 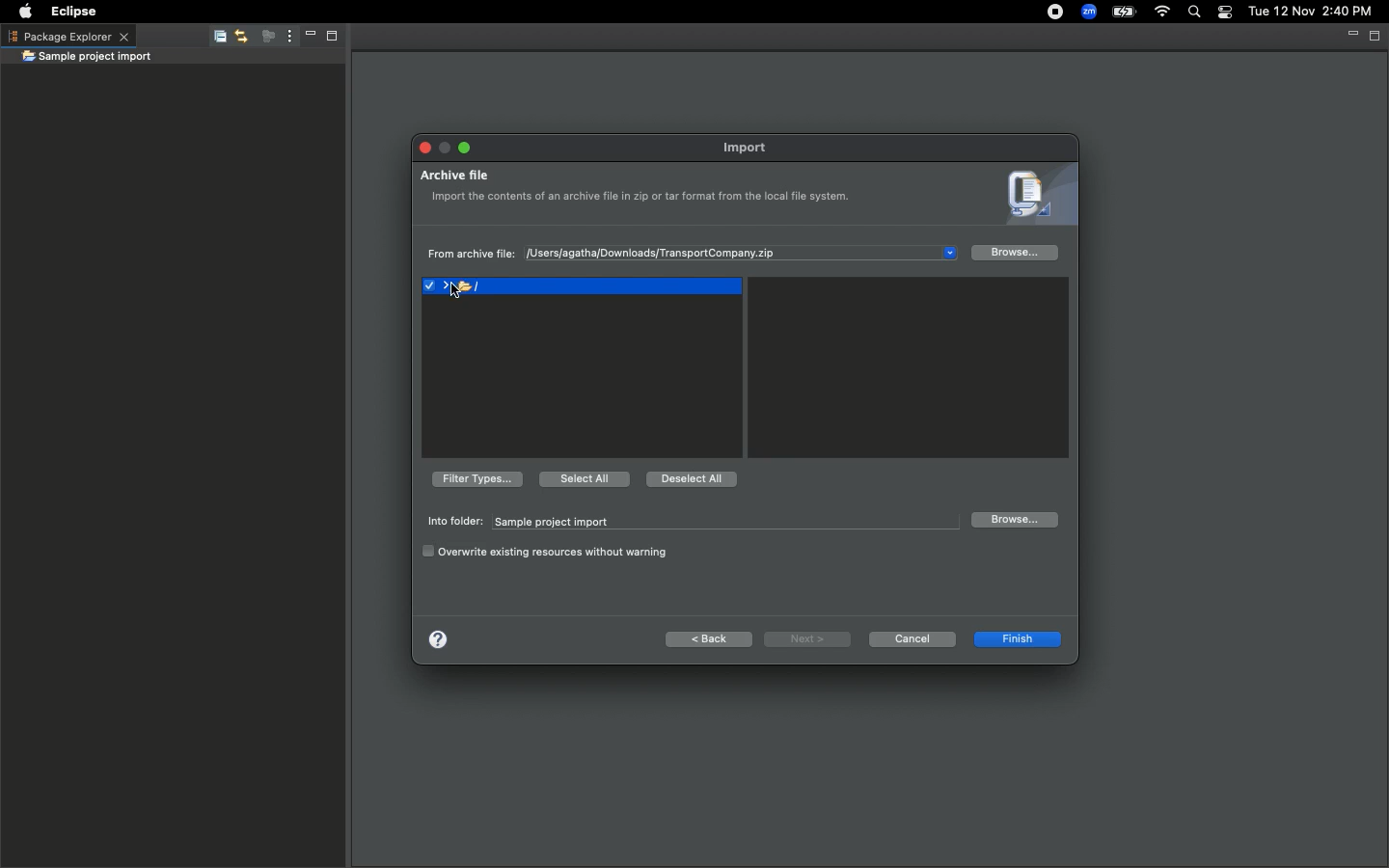 What do you see at coordinates (216, 40) in the screenshot?
I see `Collapse all` at bounding box center [216, 40].